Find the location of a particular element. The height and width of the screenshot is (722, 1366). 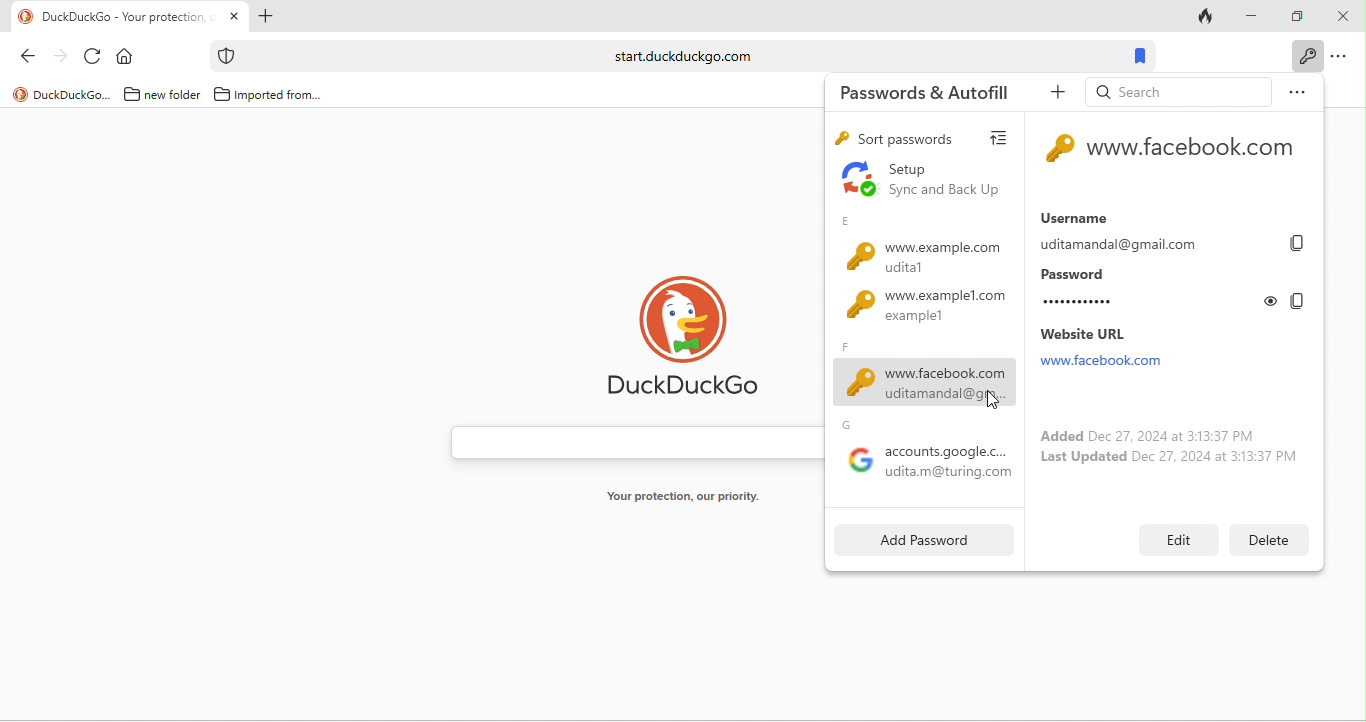

www.example1.com is located at coordinates (918, 312).